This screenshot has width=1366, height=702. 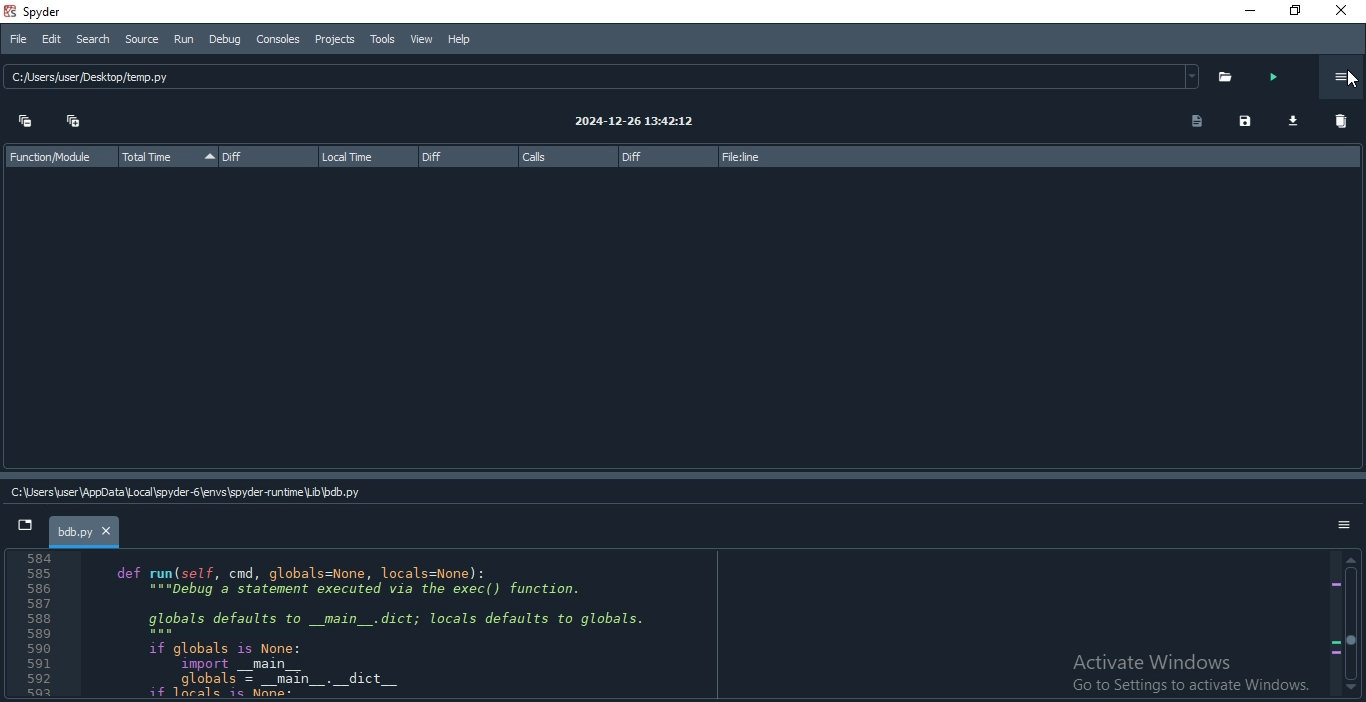 What do you see at coordinates (1345, 11) in the screenshot?
I see `Close` at bounding box center [1345, 11].